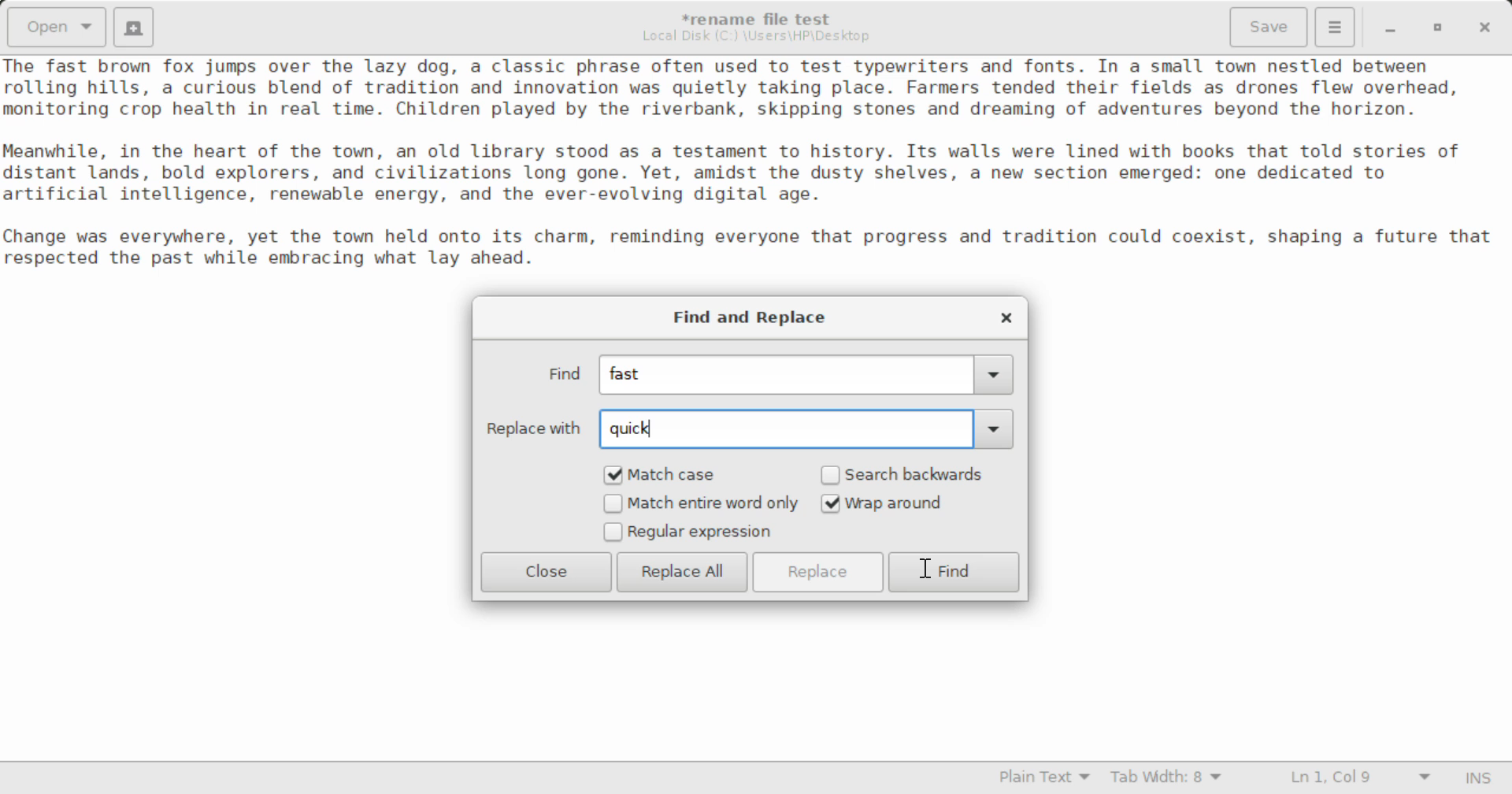  Describe the element at coordinates (766, 19) in the screenshot. I see `*rename file test` at that location.